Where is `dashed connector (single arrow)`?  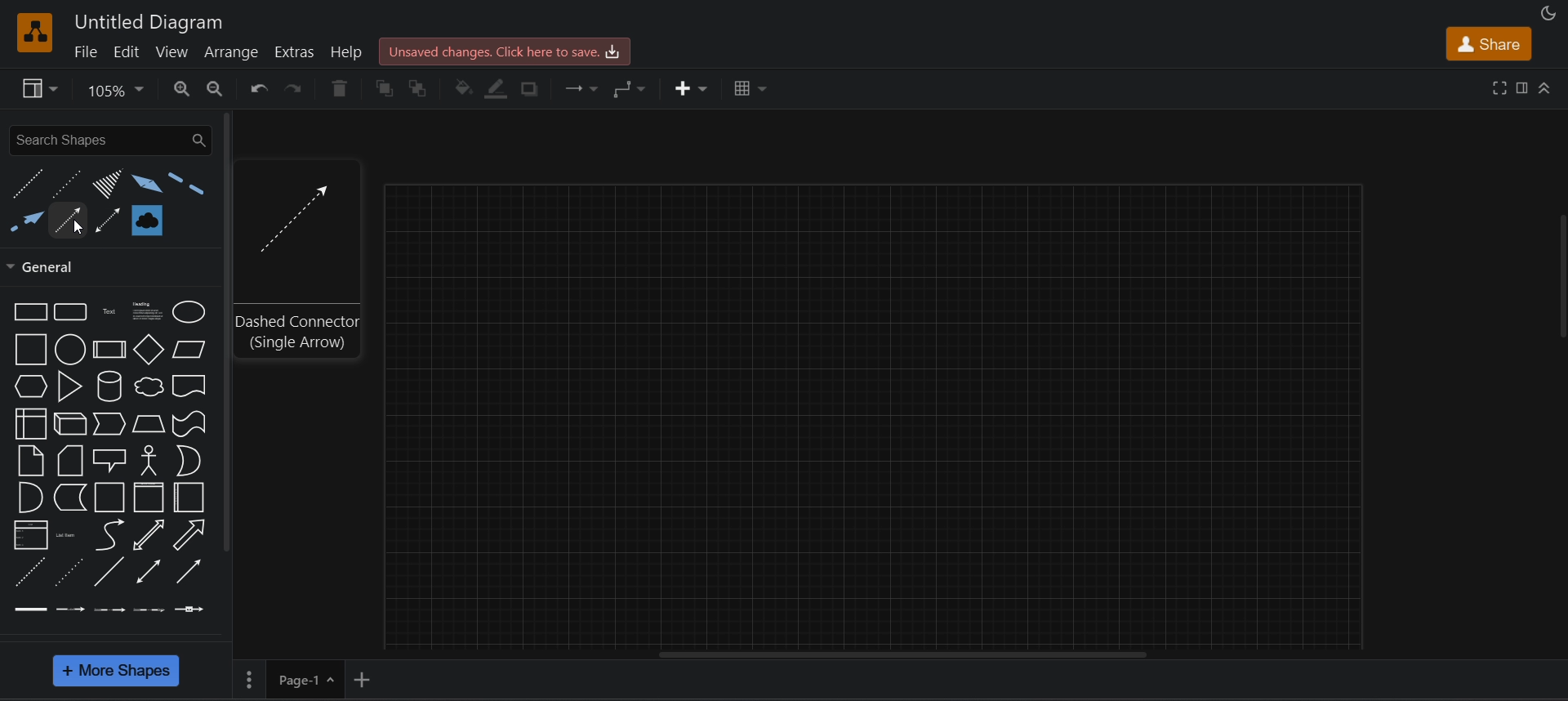 dashed connector (single arrow) is located at coordinates (299, 333).